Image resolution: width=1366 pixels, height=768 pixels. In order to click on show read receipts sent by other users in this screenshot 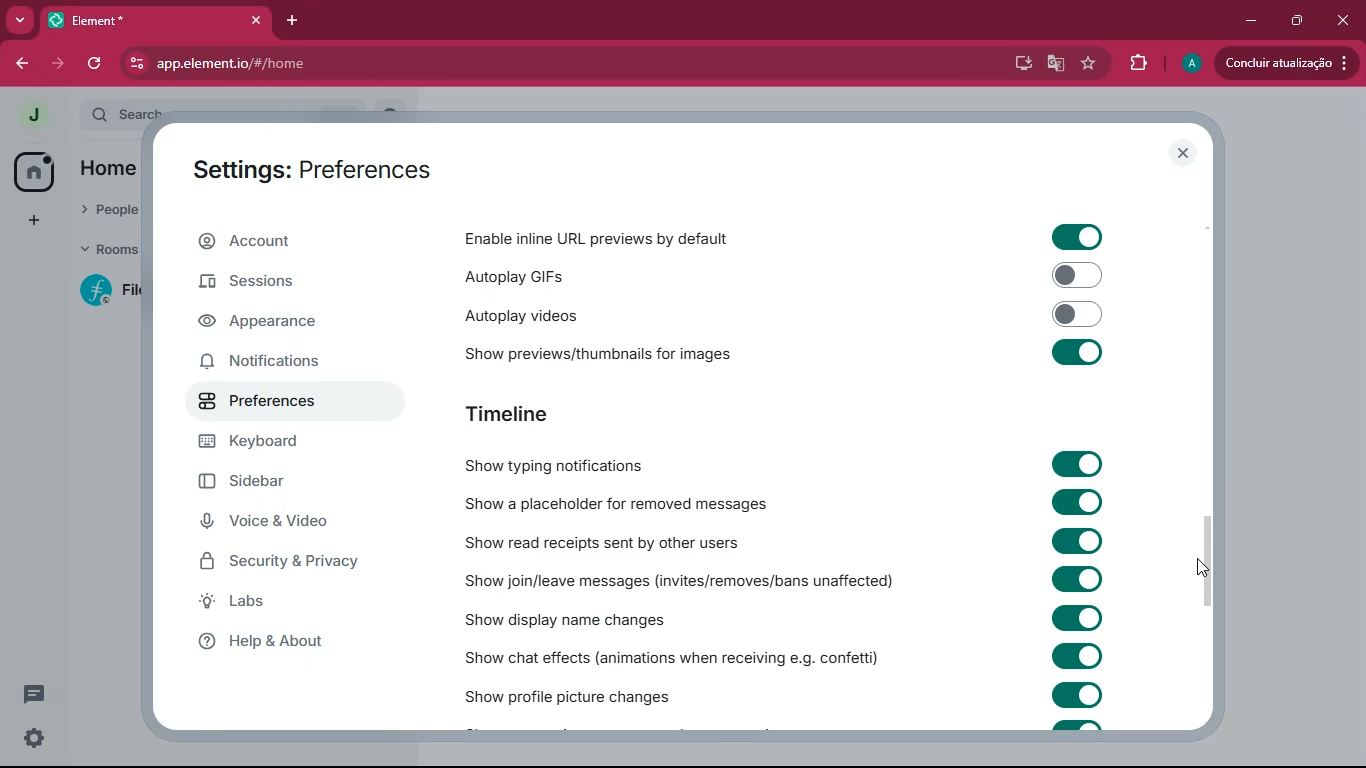, I will do `click(616, 542)`.